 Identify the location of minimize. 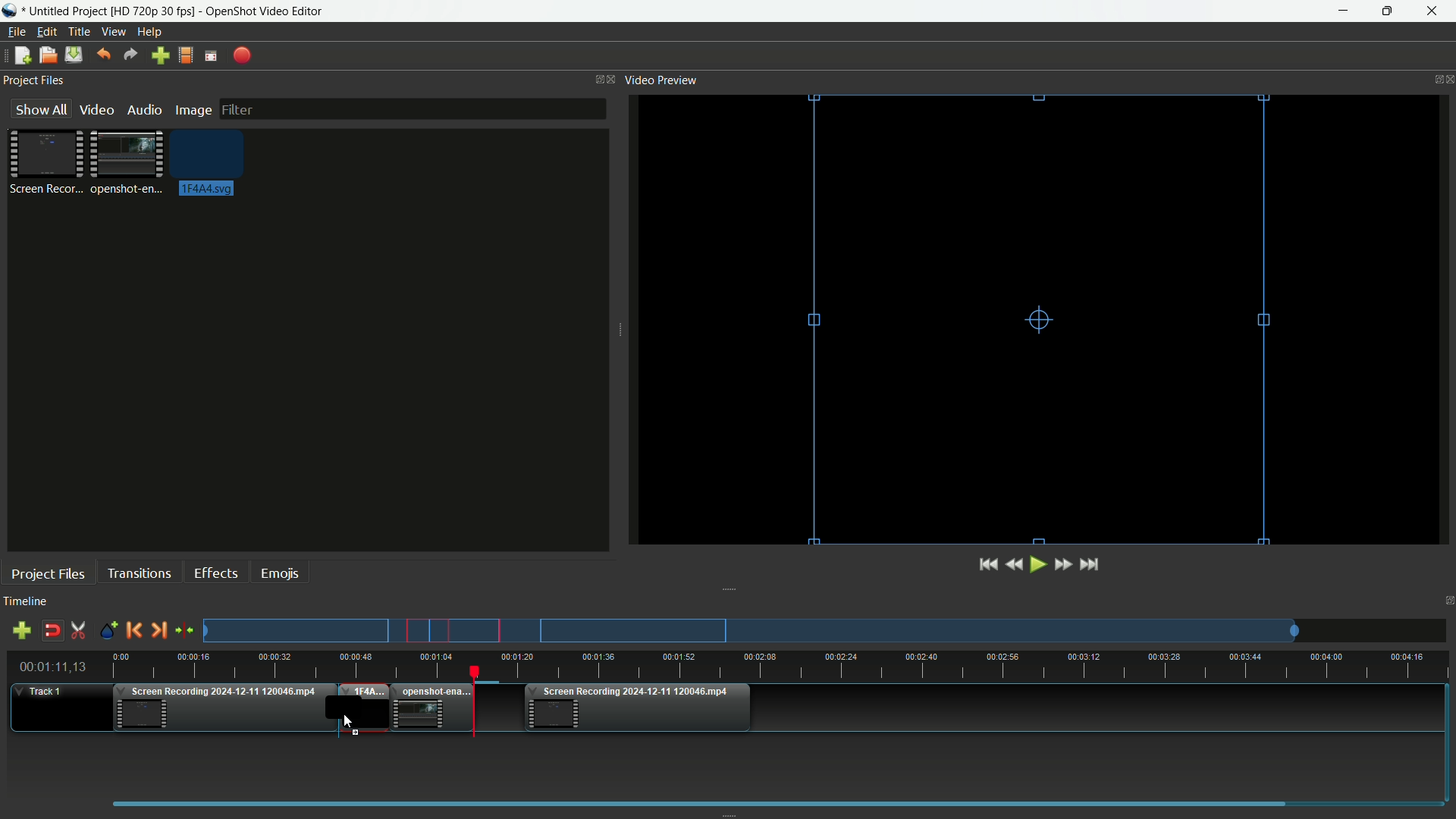
(1348, 11).